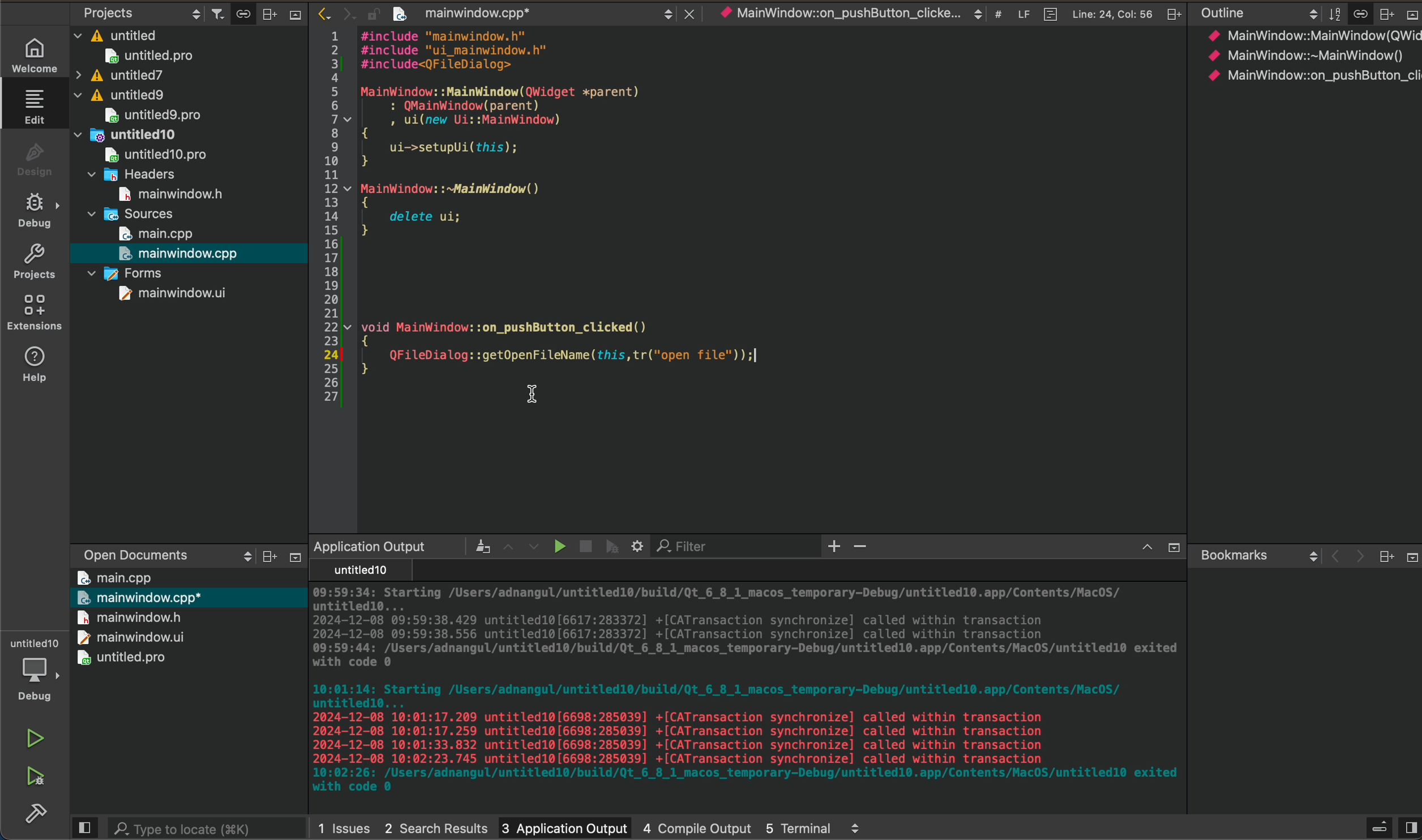 This screenshot has width=1422, height=840. What do you see at coordinates (108, 12) in the screenshot?
I see `projects` at bounding box center [108, 12].